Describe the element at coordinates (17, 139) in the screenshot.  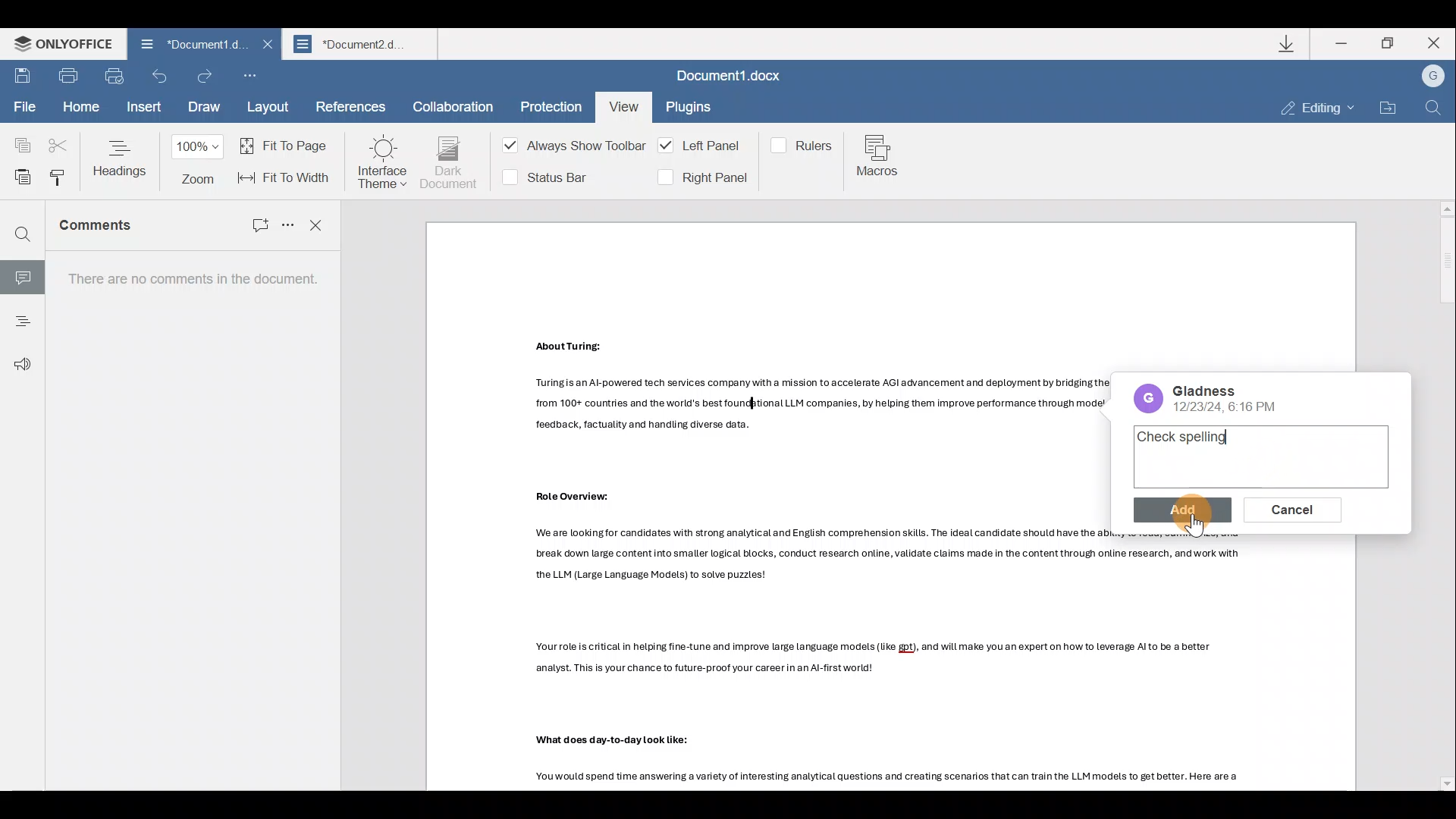
I see `Copy` at that location.